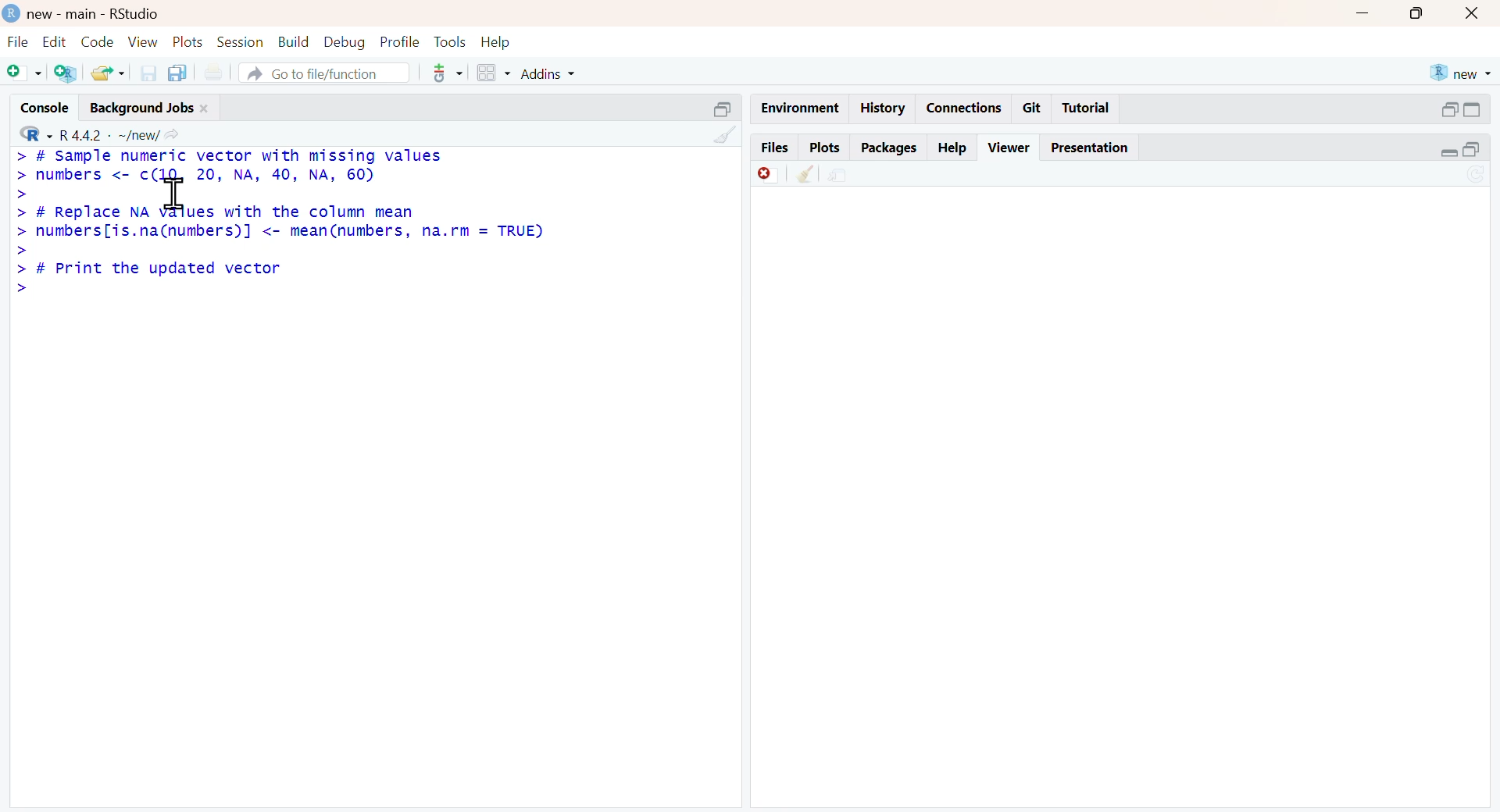 This screenshot has width=1500, height=812. Describe the element at coordinates (205, 109) in the screenshot. I see `close` at that location.